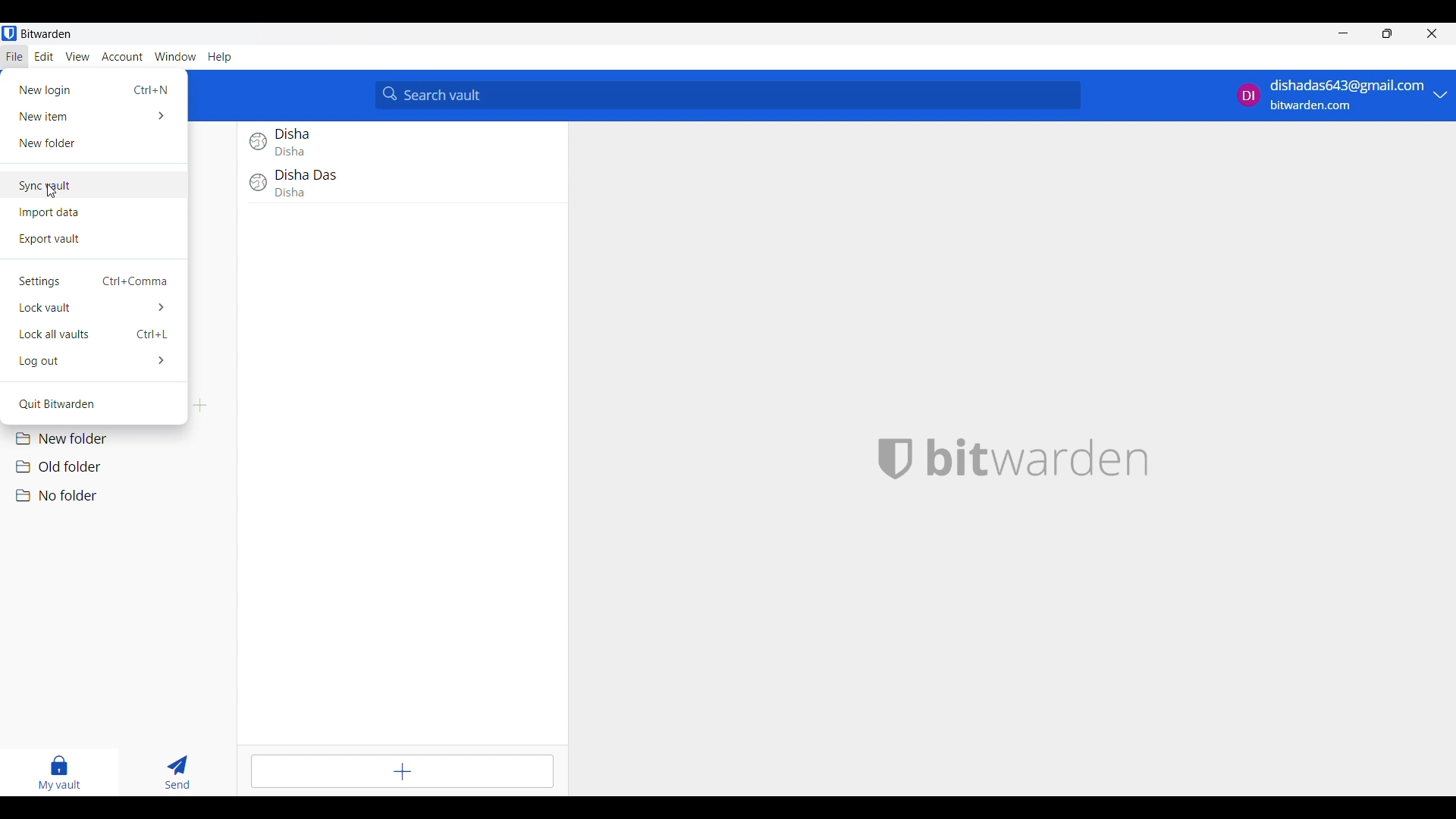 This screenshot has height=819, width=1456. Describe the element at coordinates (45, 56) in the screenshot. I see `Edit menu` at that location.